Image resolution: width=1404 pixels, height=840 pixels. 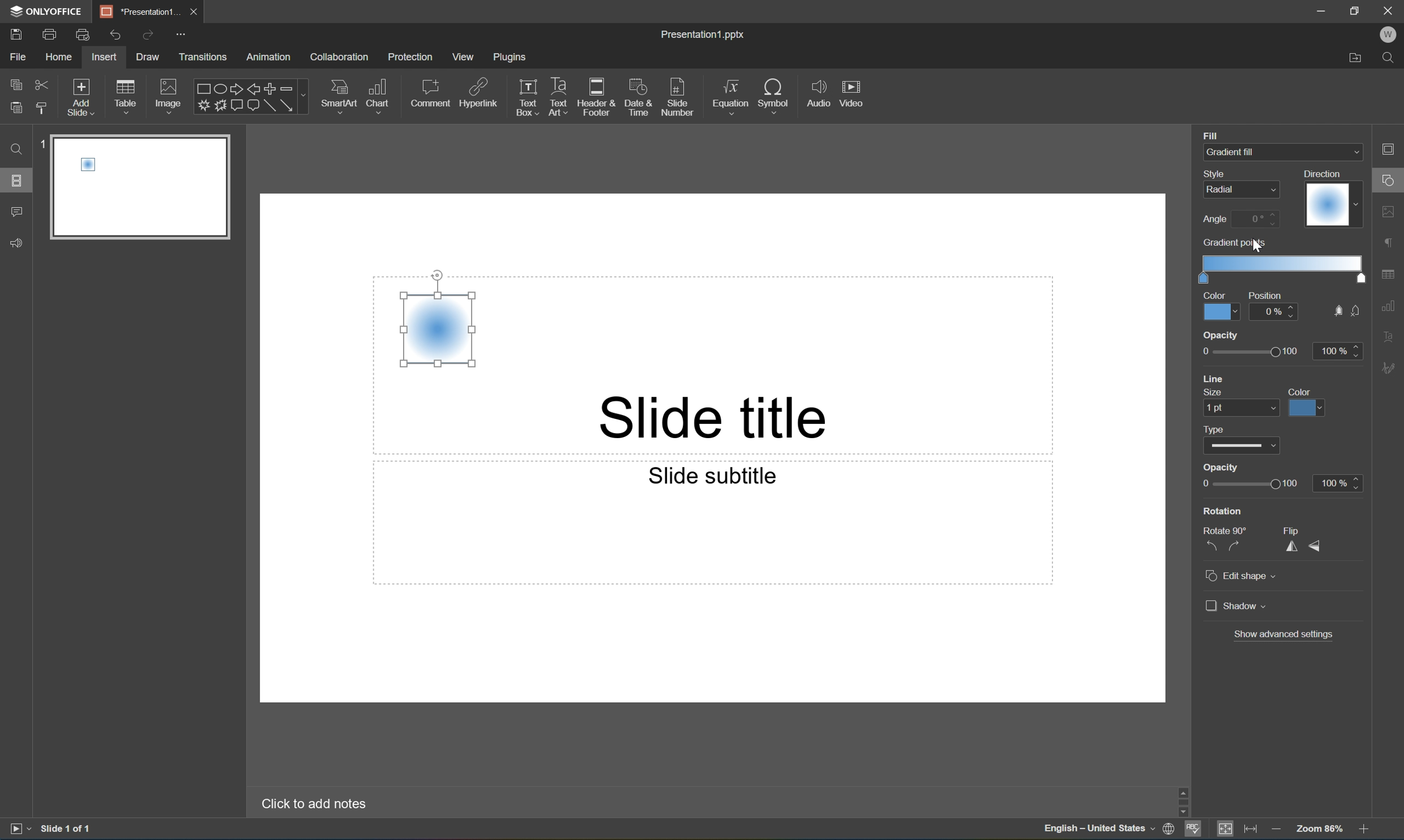 What do you see at coordinates (1364, 788) in the screenshot?
I see `Scroll Up` at bounding box center [1364, 788].